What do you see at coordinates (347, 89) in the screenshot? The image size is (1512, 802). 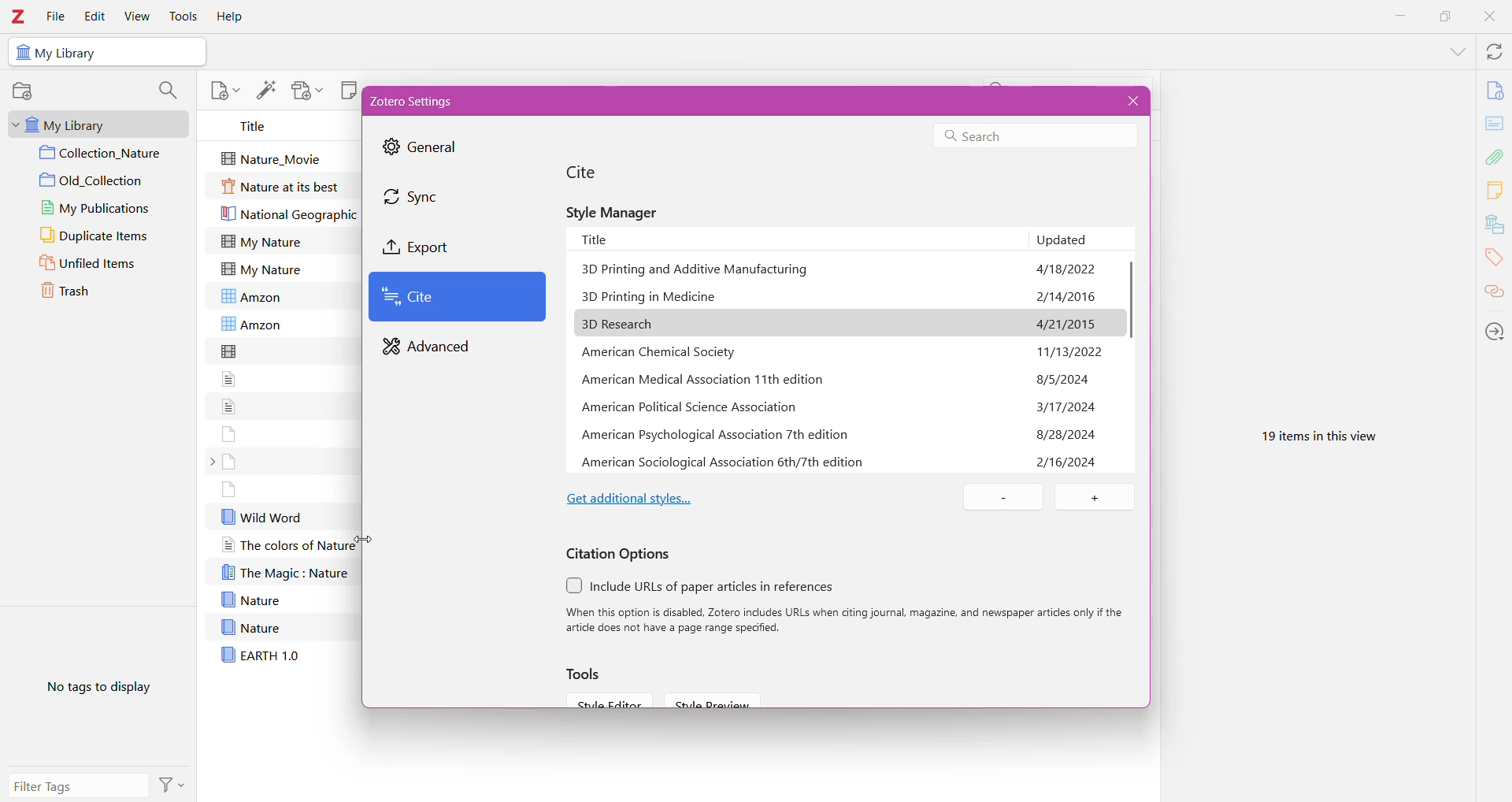 I see `New Note` at bounding box center [347, 89].